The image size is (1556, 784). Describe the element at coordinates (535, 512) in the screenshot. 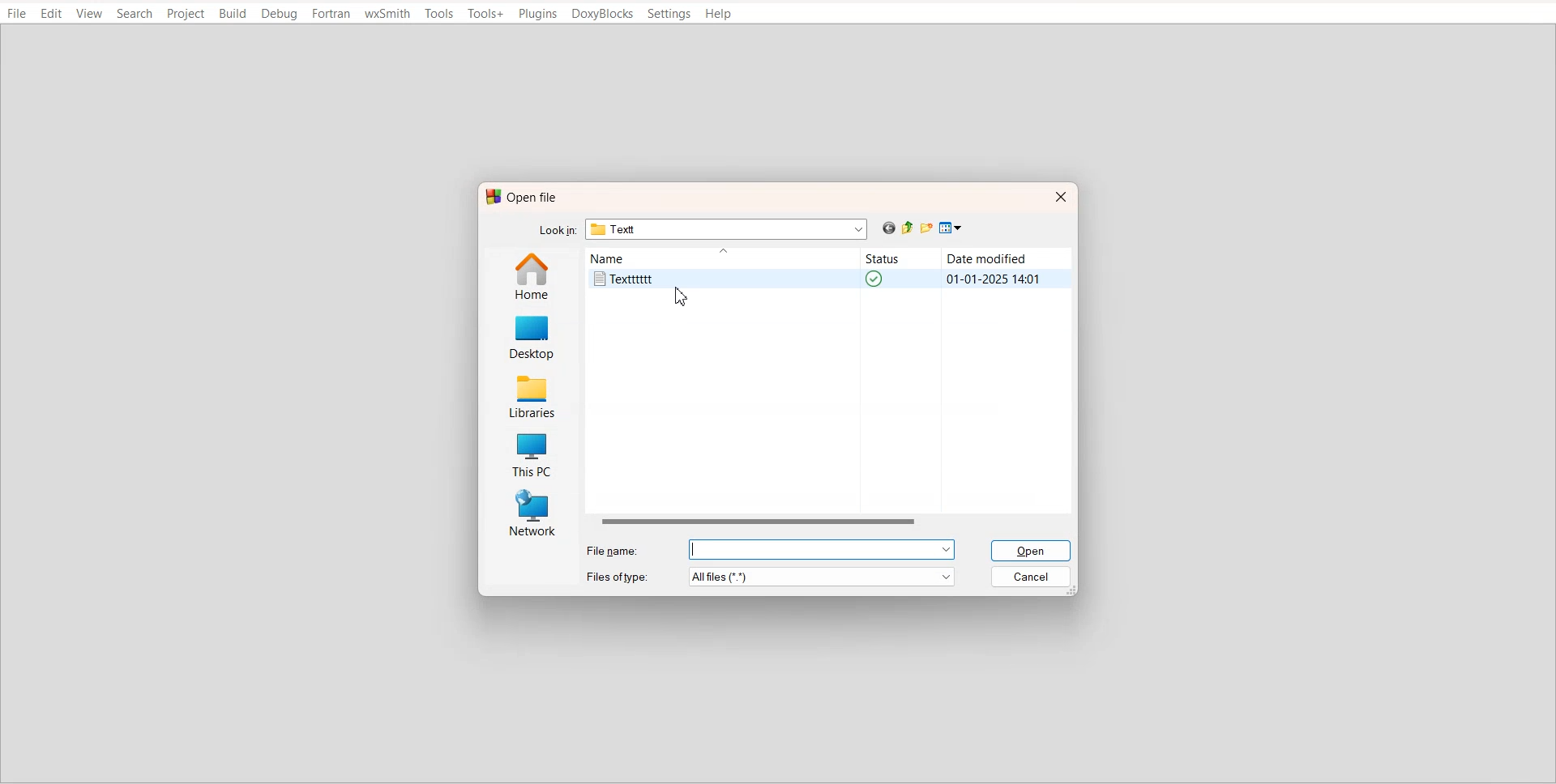

I see `Network` at that location.